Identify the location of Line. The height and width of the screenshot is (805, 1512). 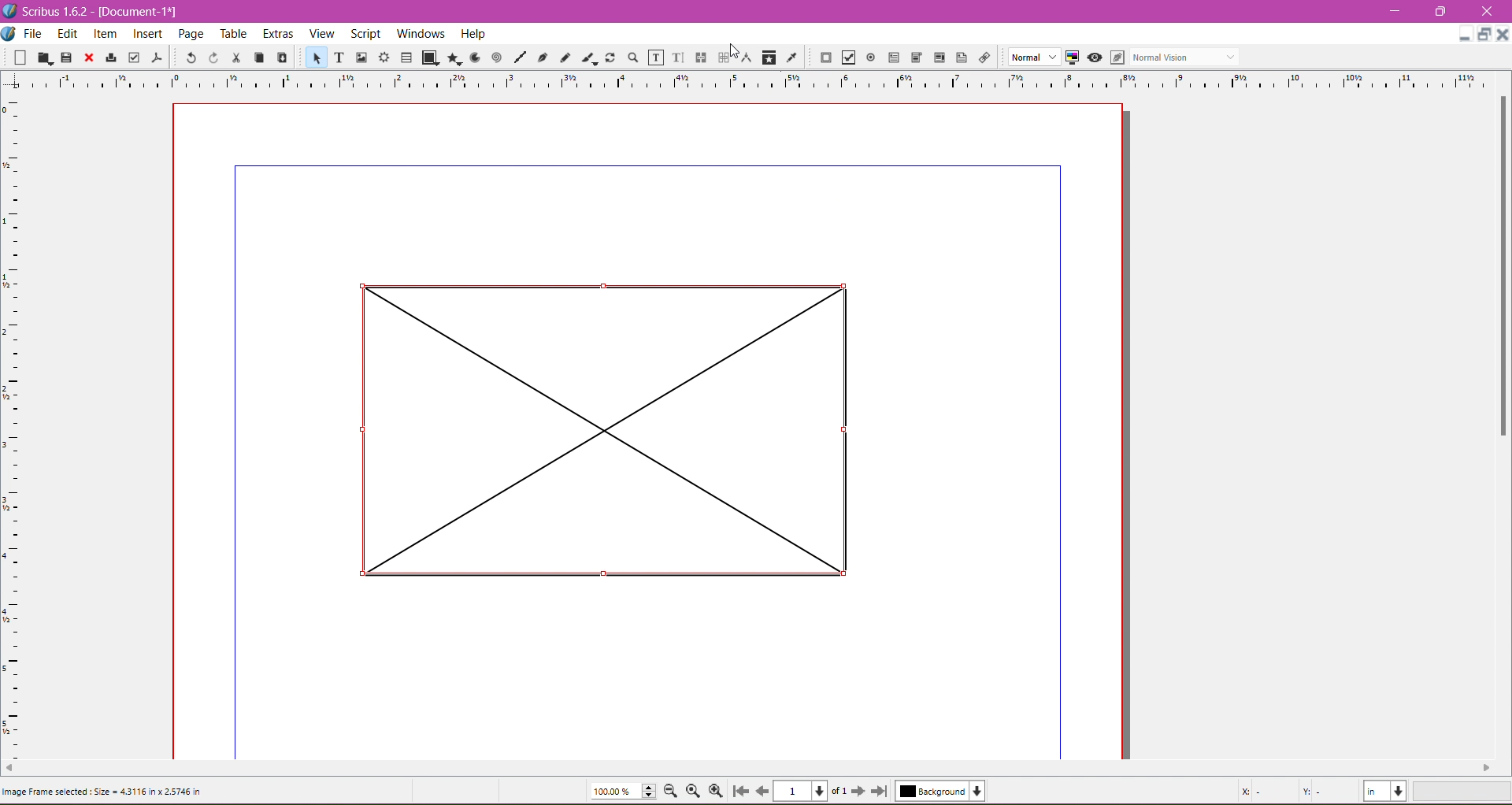
(520, 57).